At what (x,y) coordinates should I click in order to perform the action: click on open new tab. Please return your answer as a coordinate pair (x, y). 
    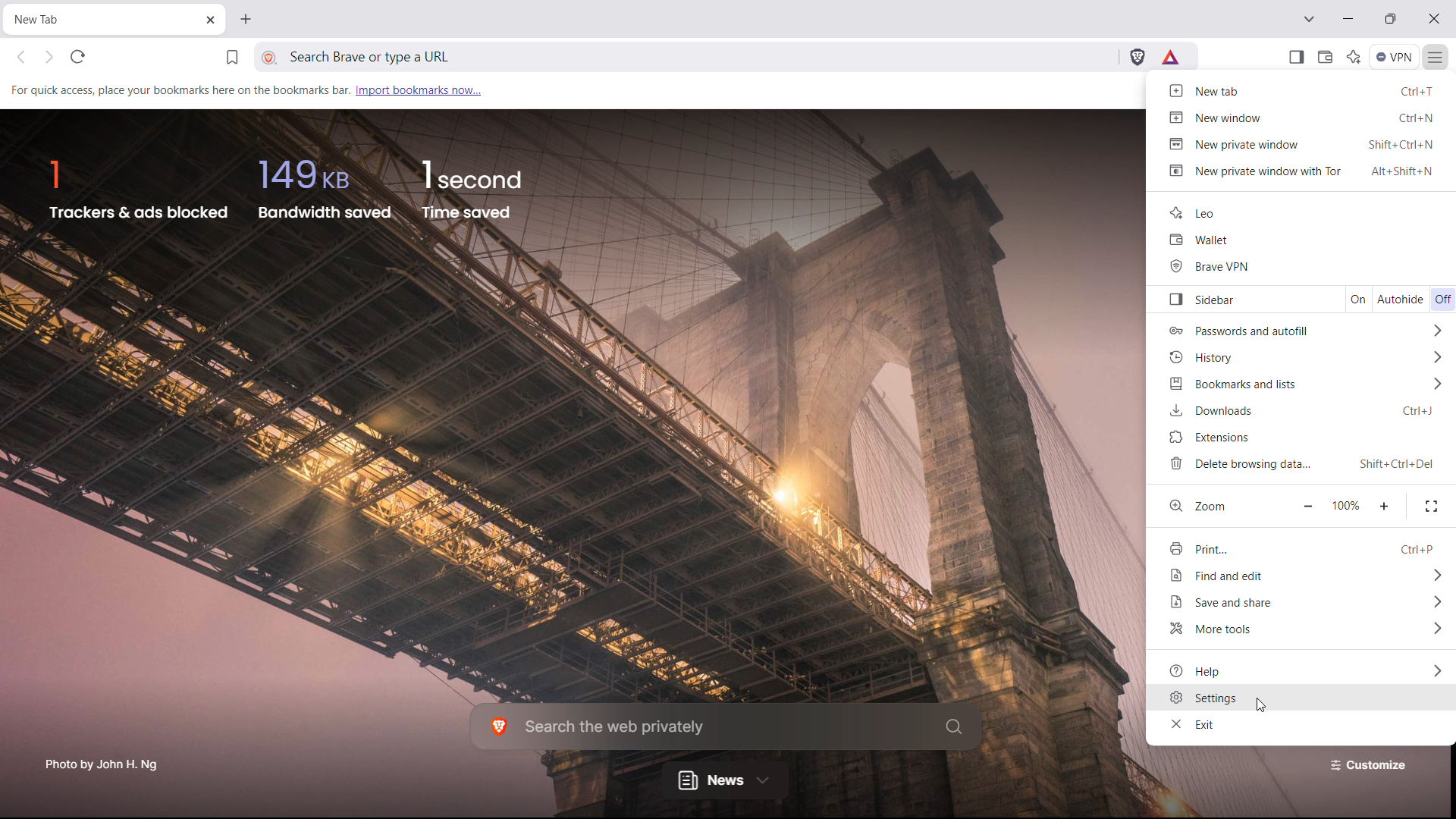
    Looking at the image, I should click on (246, 20).